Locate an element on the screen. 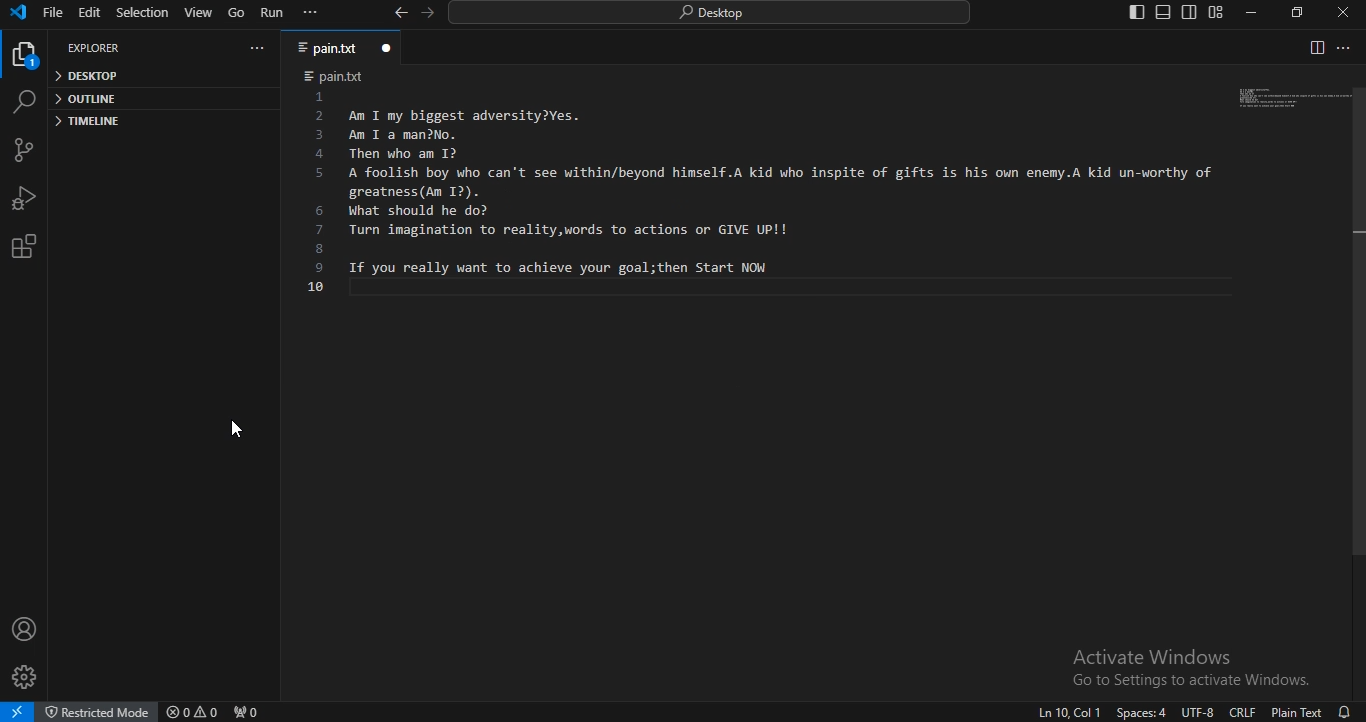 The width and height of the screenshot is (1366, 722). manage is located at coordinates (27, 676).